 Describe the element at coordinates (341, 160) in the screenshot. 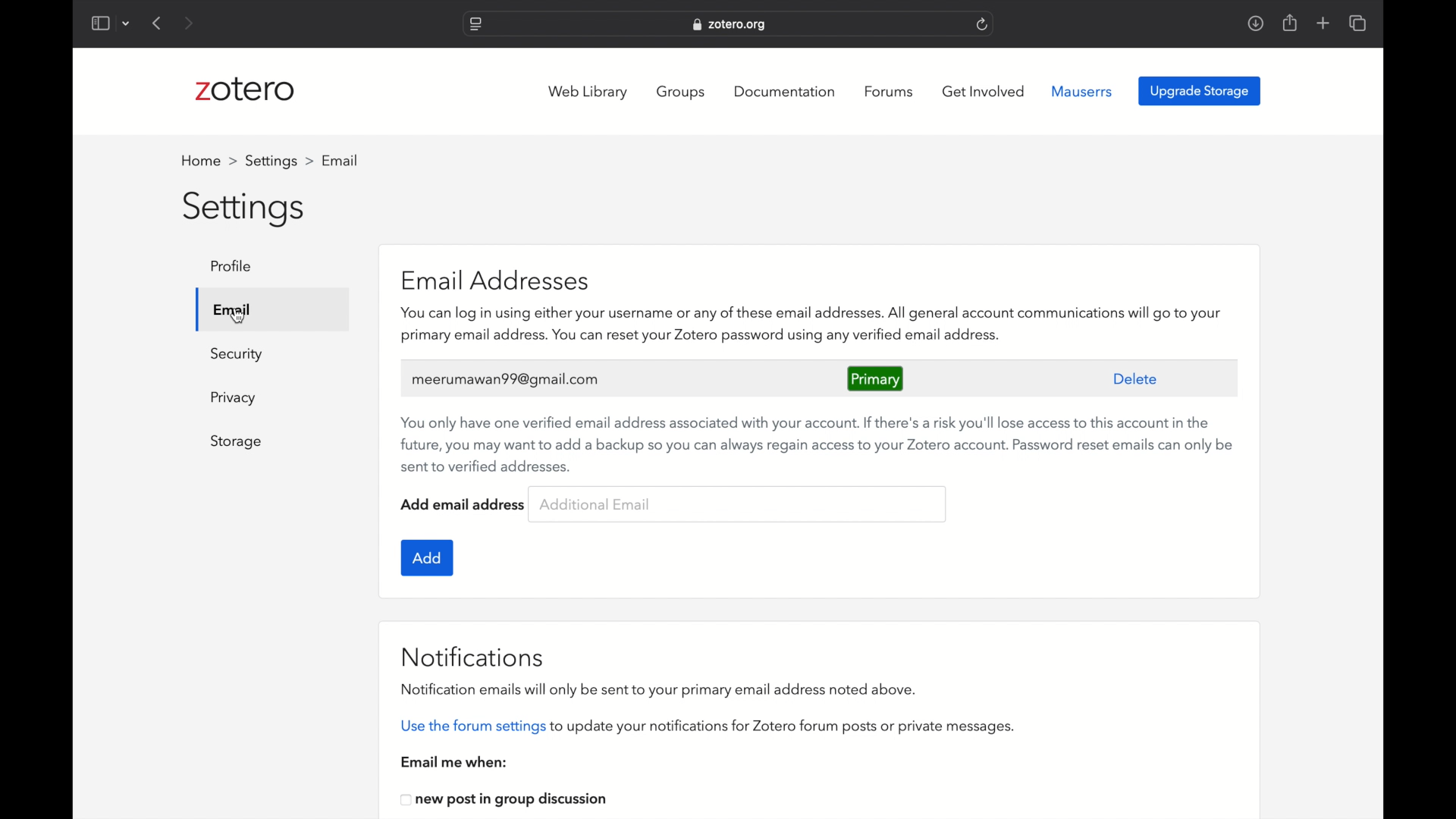

I see `profile` at that location.